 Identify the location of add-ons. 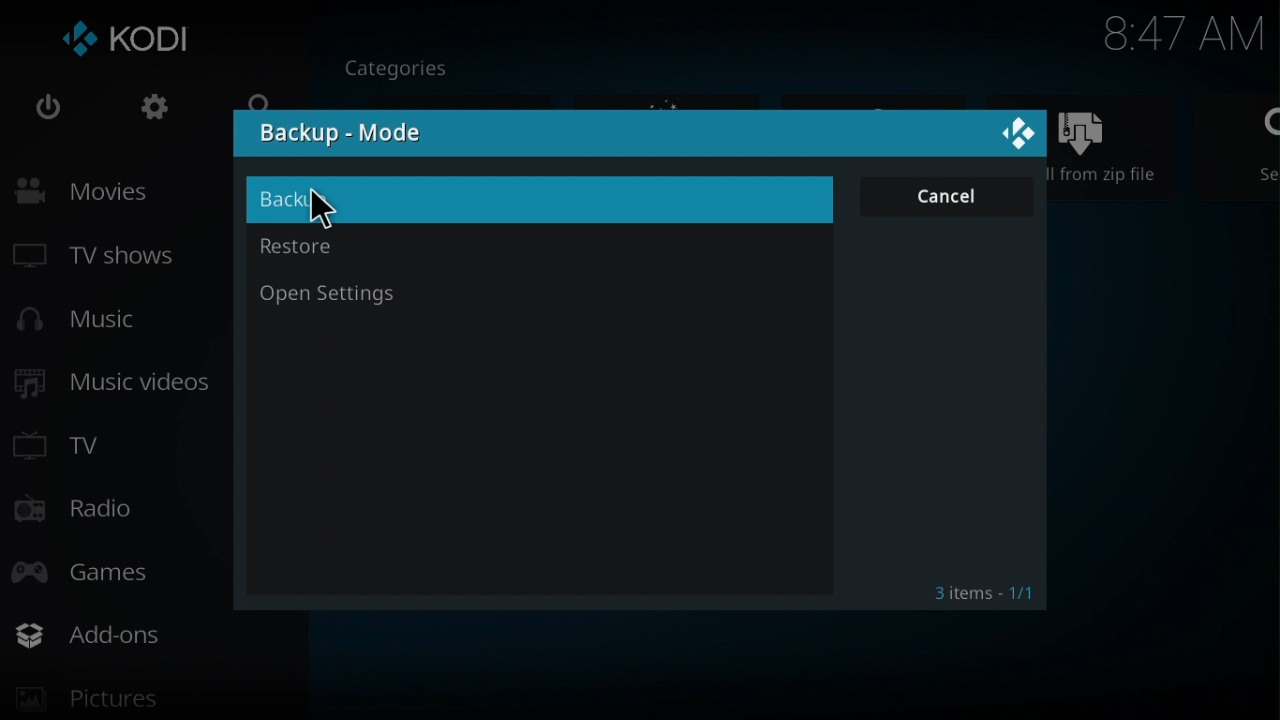
(162, 635).